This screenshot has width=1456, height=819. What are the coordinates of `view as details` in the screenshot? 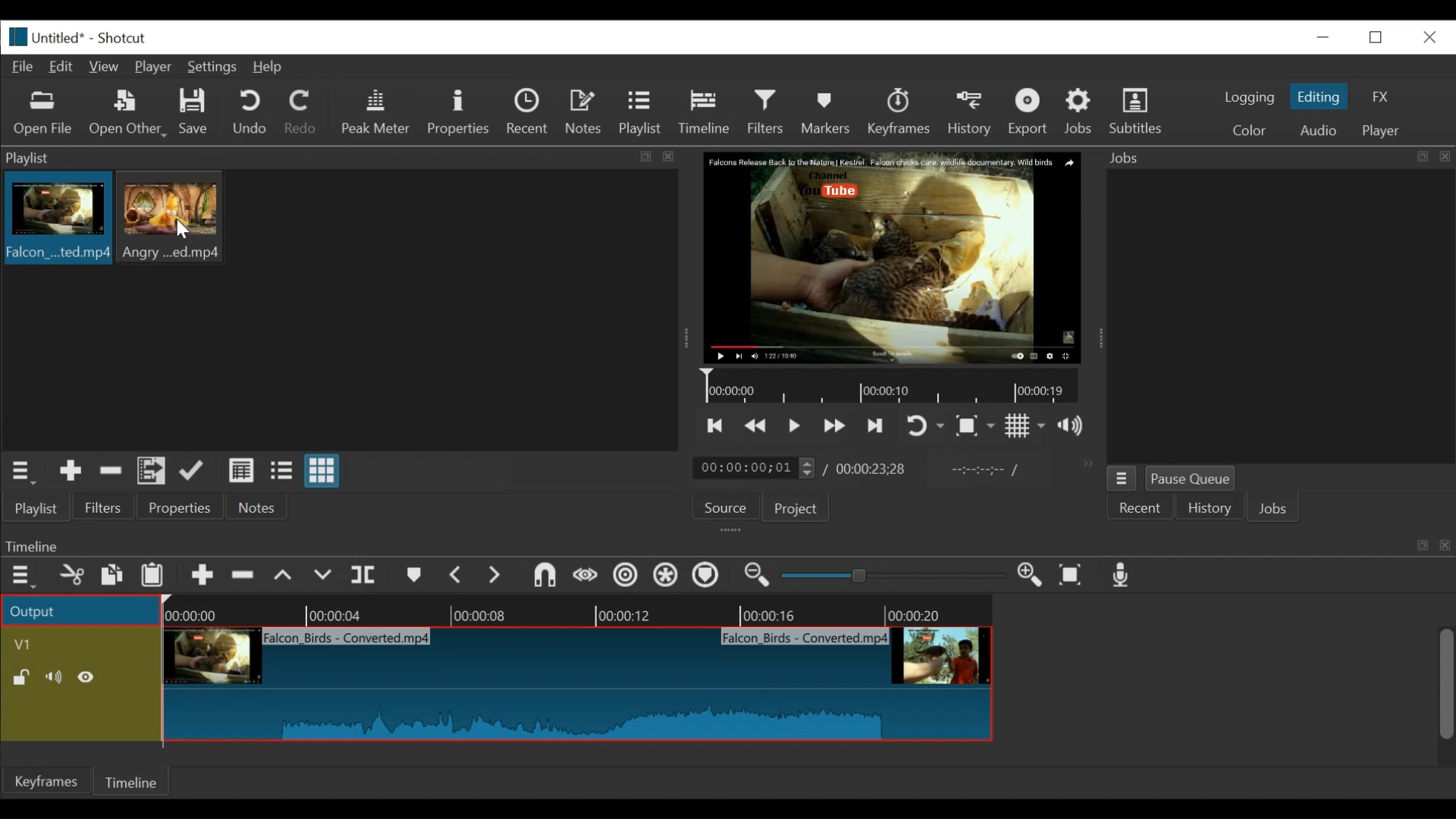 It's located at (242, 470).